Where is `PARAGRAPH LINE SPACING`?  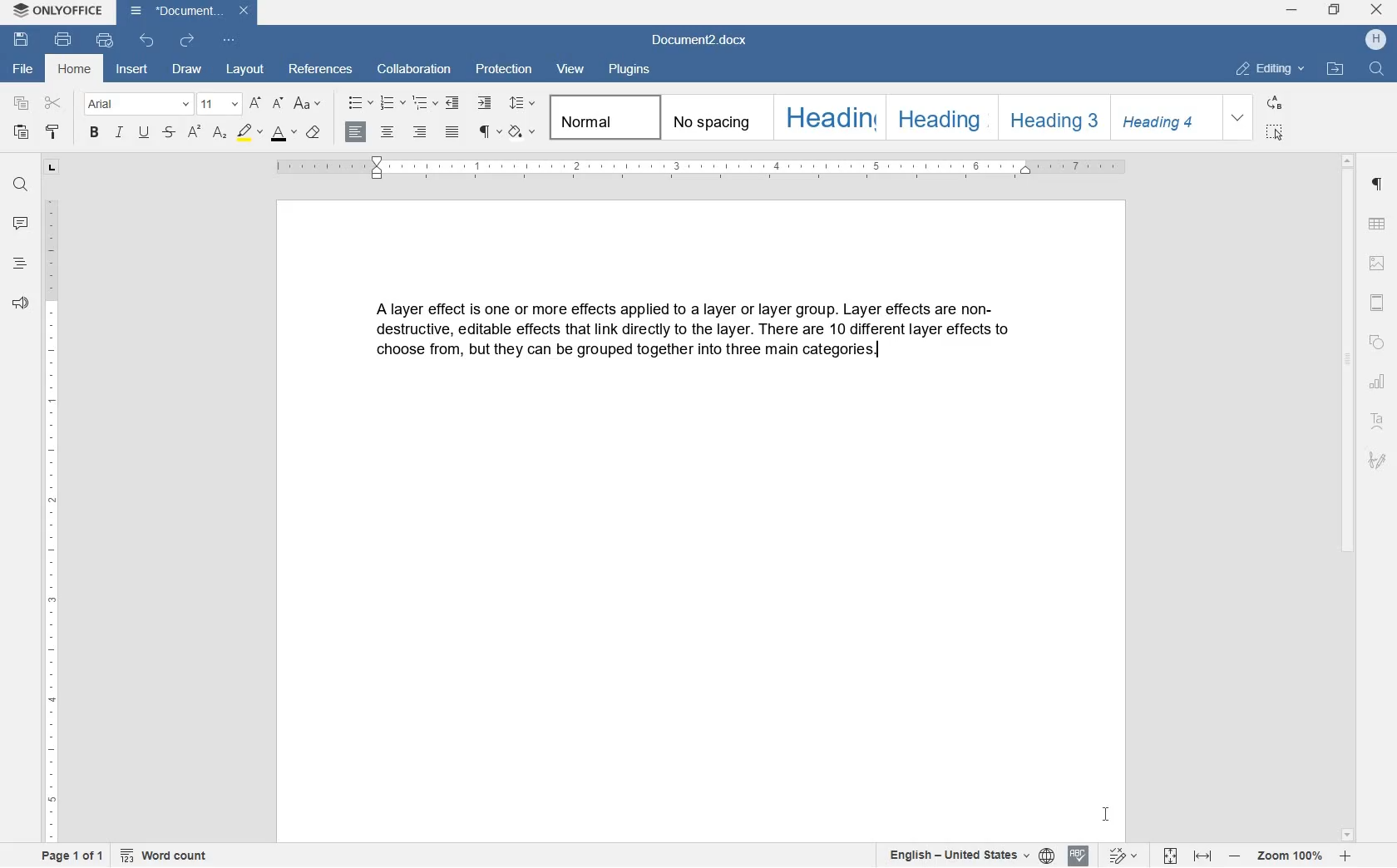
PARAGRAPH LINE SPACING is located at coordinates (522, 104).